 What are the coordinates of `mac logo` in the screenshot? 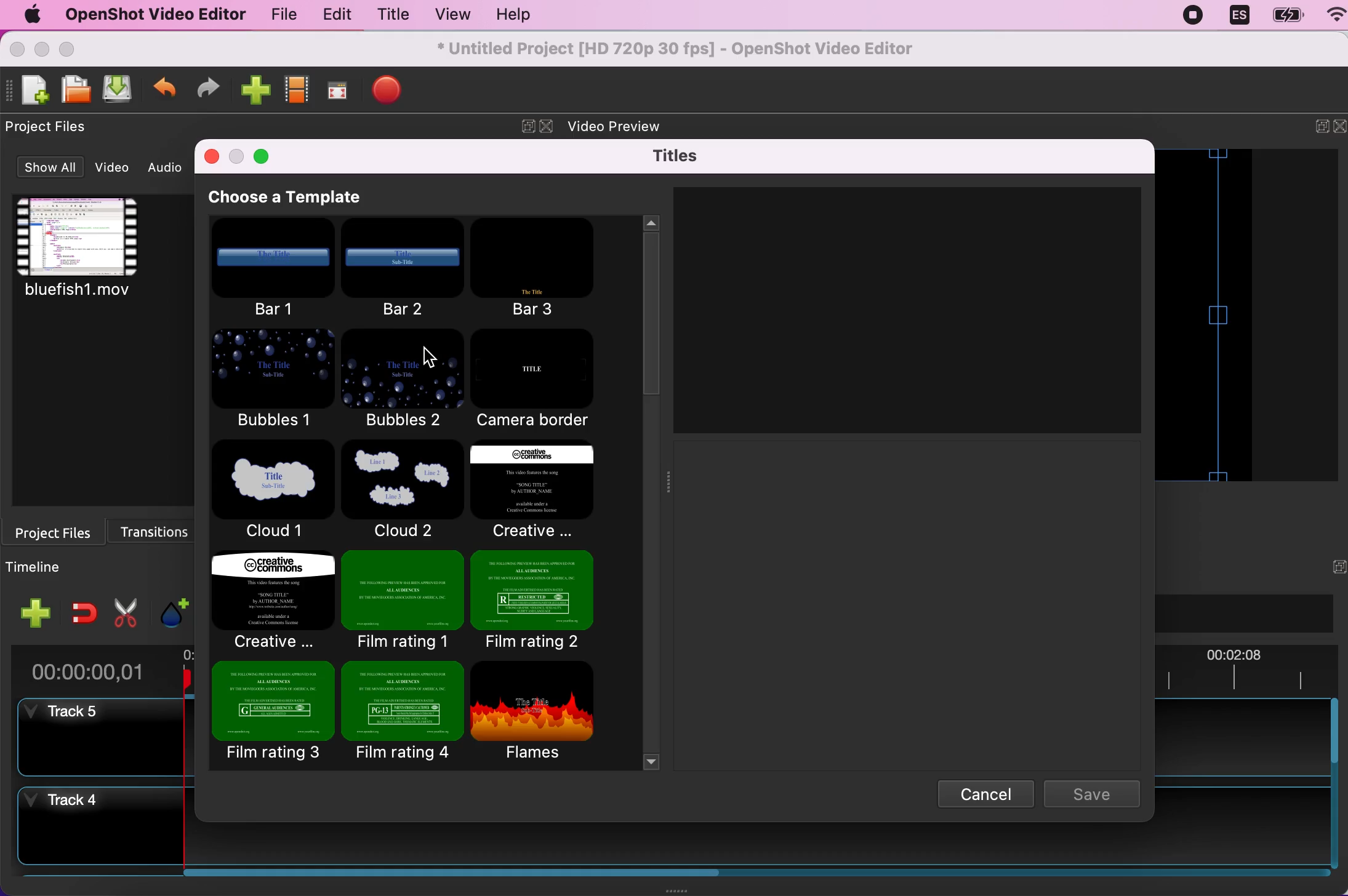 It's located at (28, 15).